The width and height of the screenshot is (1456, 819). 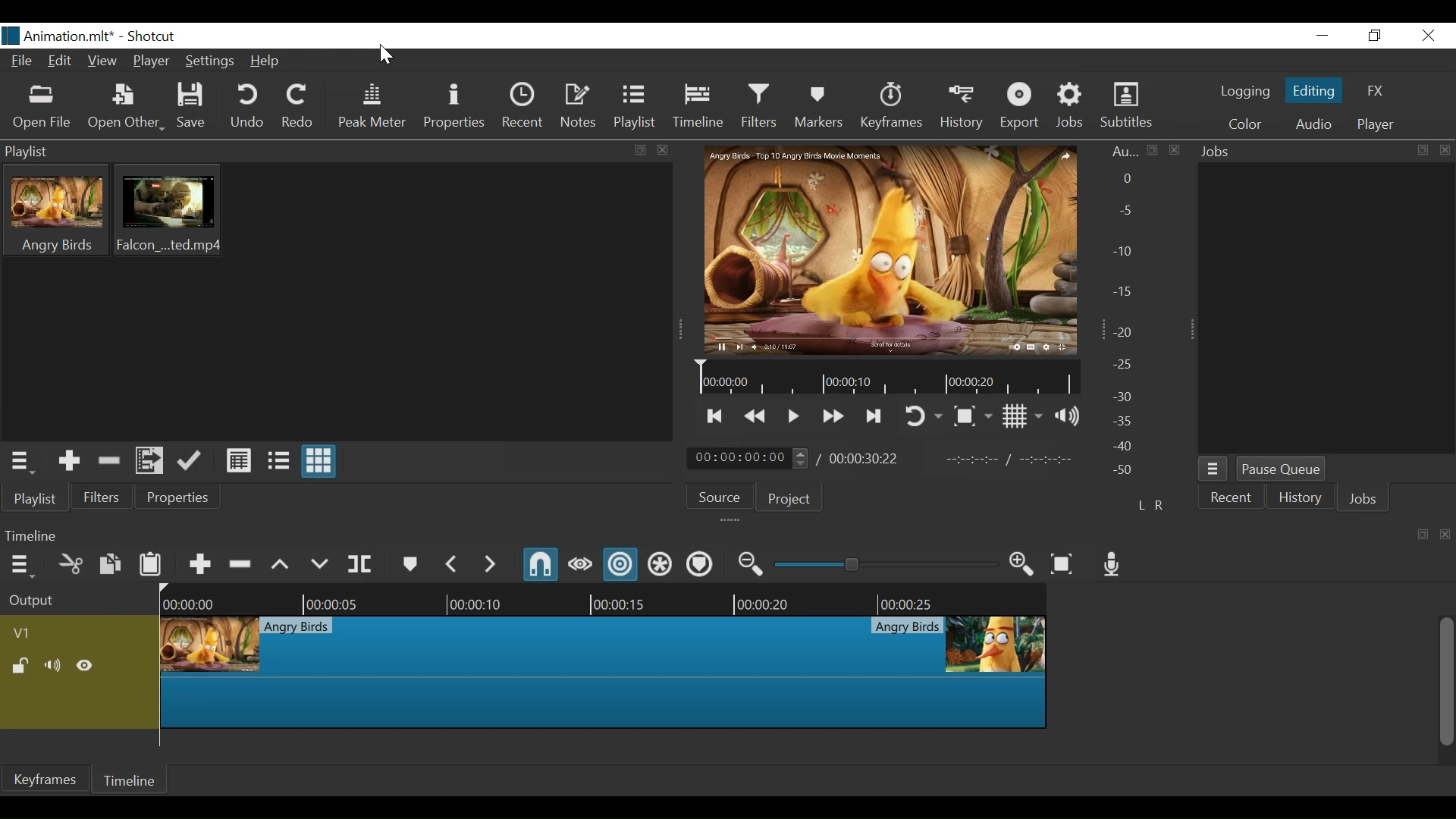 I want to click on Toggle display grid on player, so click(x=1022, y=417).